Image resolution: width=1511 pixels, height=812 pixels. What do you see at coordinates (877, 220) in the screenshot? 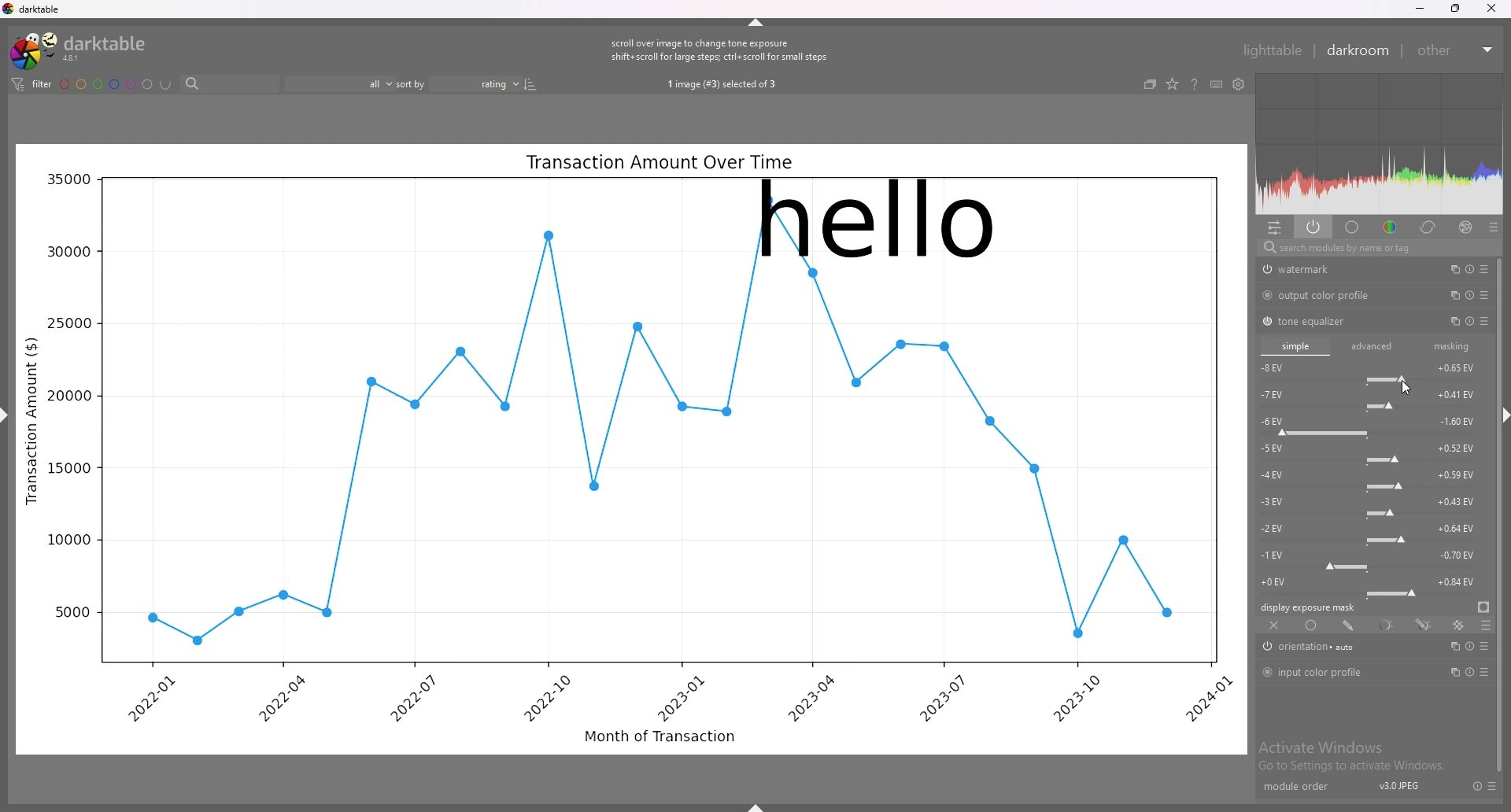
I see `hello` at bounding box center [877, 220].